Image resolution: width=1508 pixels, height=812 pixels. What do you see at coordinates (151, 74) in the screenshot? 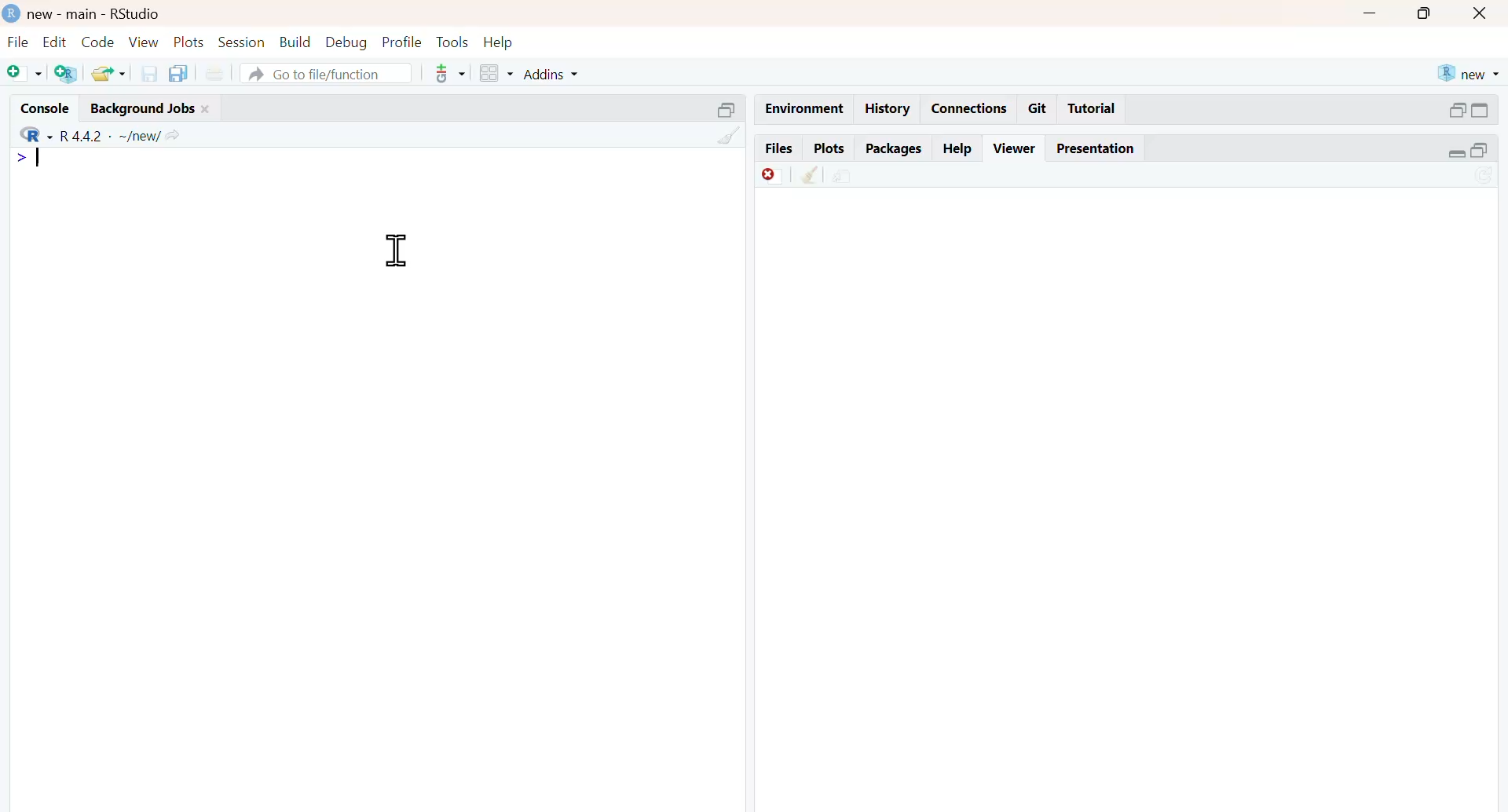
I see `save` at bounding box center [151, 74].